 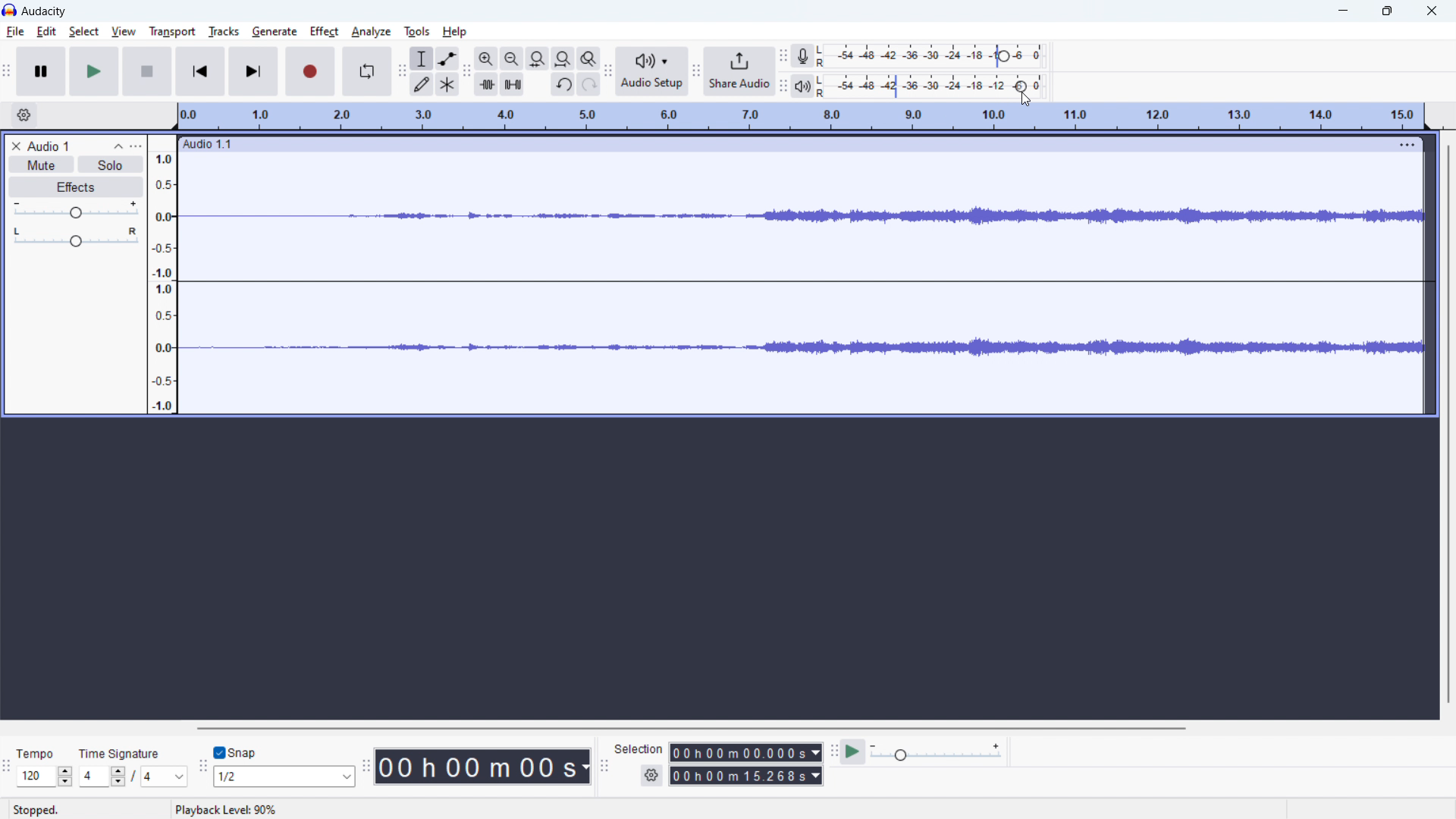 I want to click on mute, so click(x=42, y=165).